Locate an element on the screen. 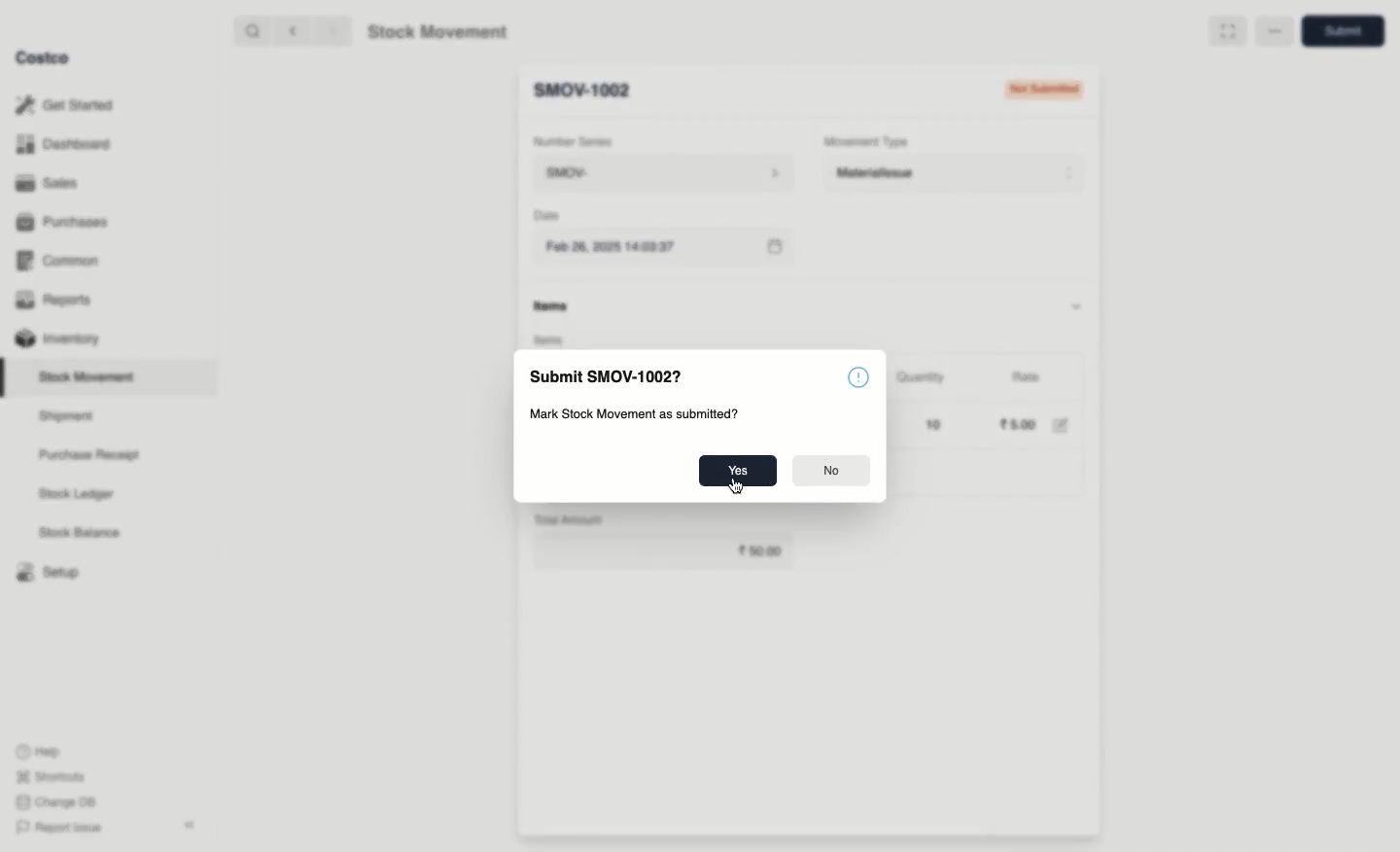  Reports is located at coordinates (58, 300).